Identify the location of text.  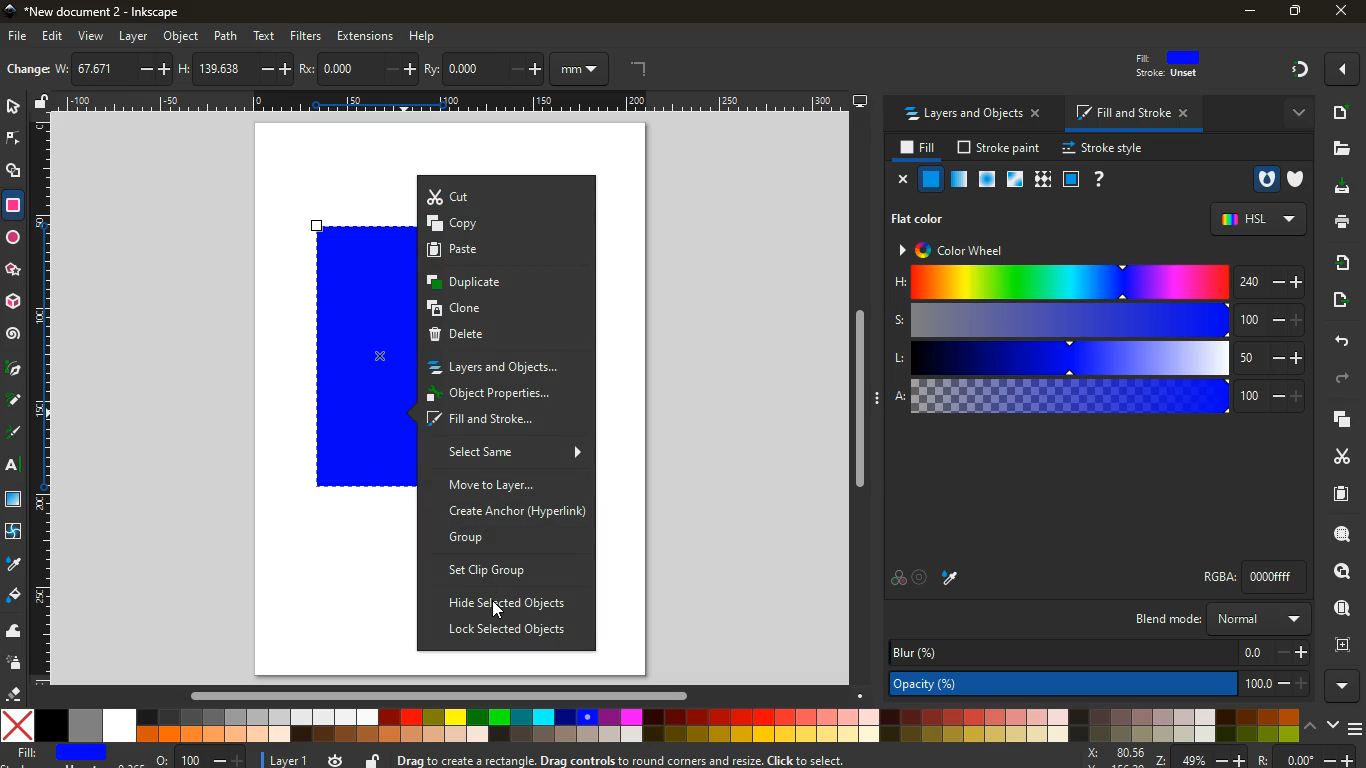
(15, 465).